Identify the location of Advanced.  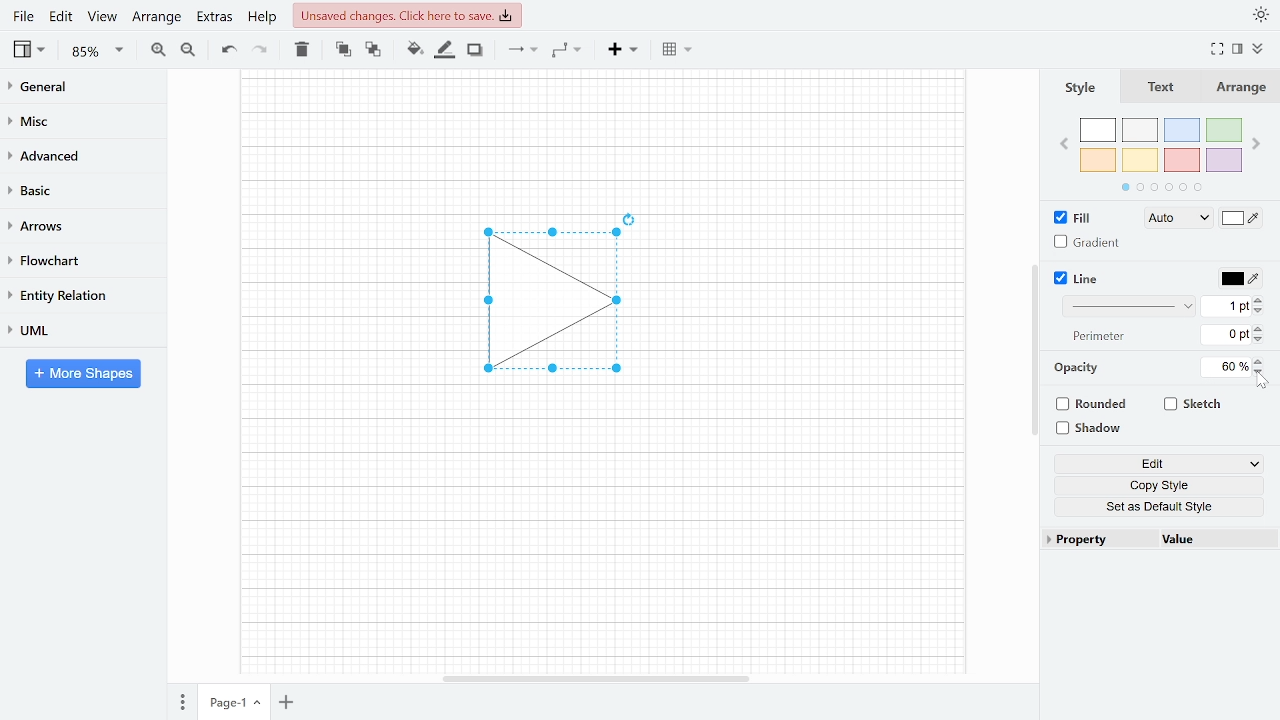
(77, 154).